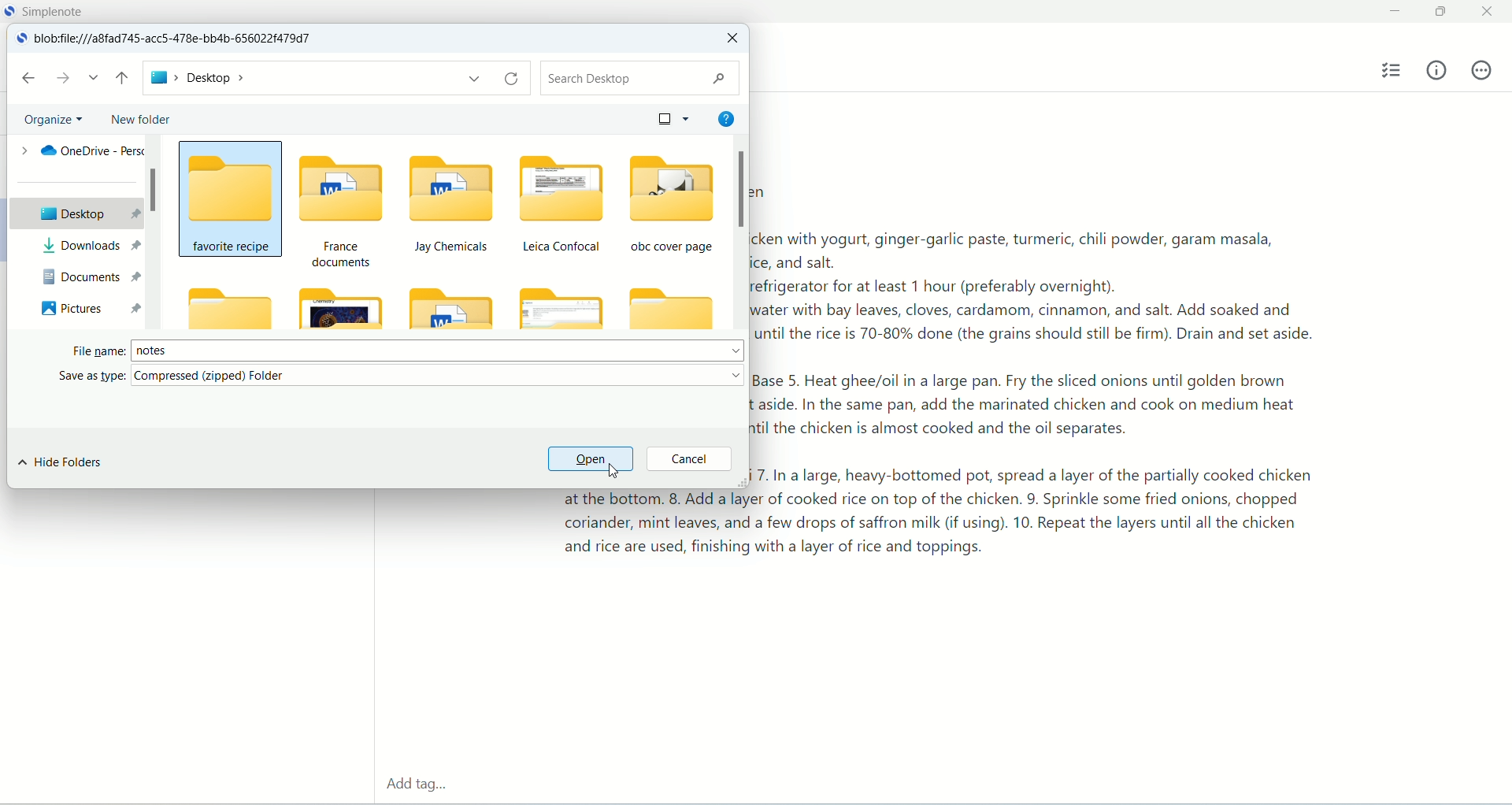  What do you see at coordinates (57, 11) in the screenshot?
I see `simplenote` at bounding box center [57, 11].